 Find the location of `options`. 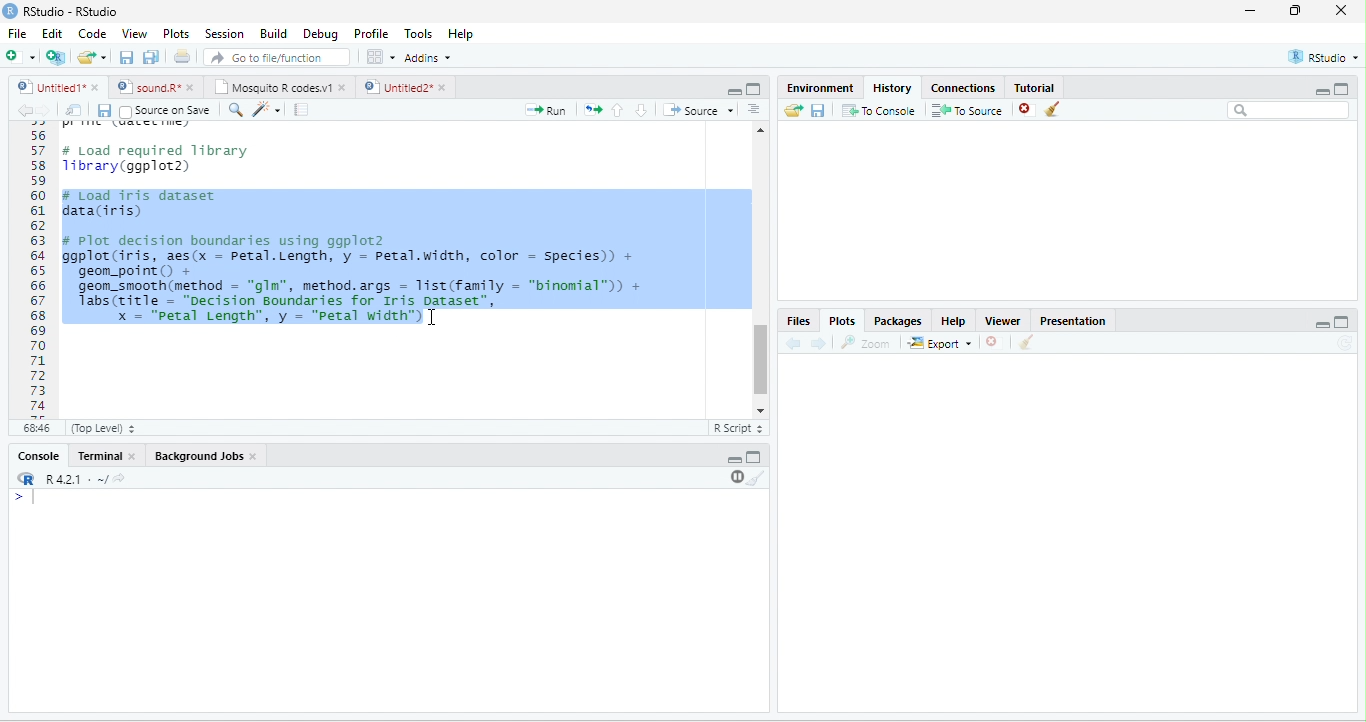

options is located at coordinates (381, 57).